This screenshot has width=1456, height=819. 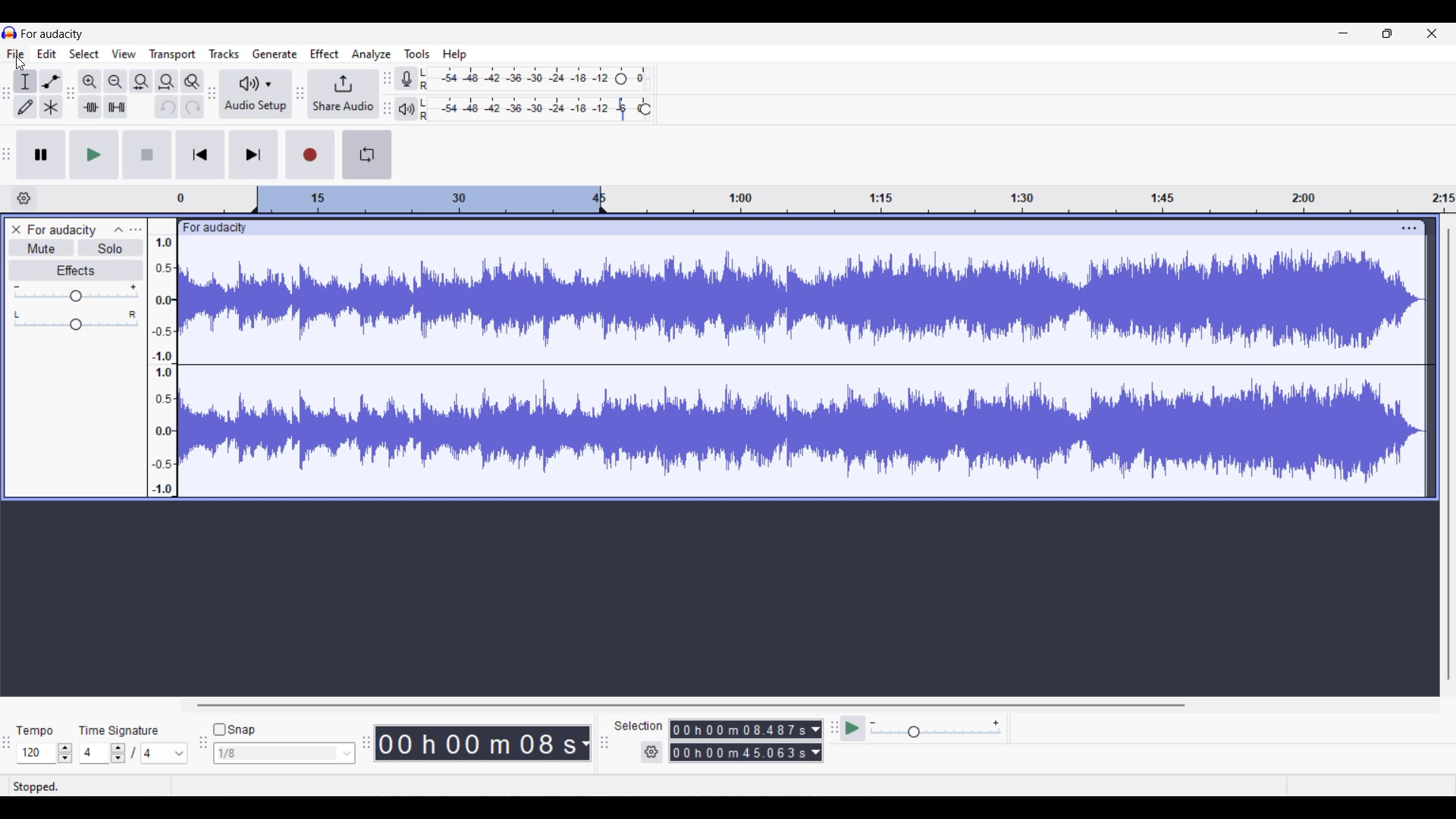 I want to click on Tools menu, so click(x=417, y=54).